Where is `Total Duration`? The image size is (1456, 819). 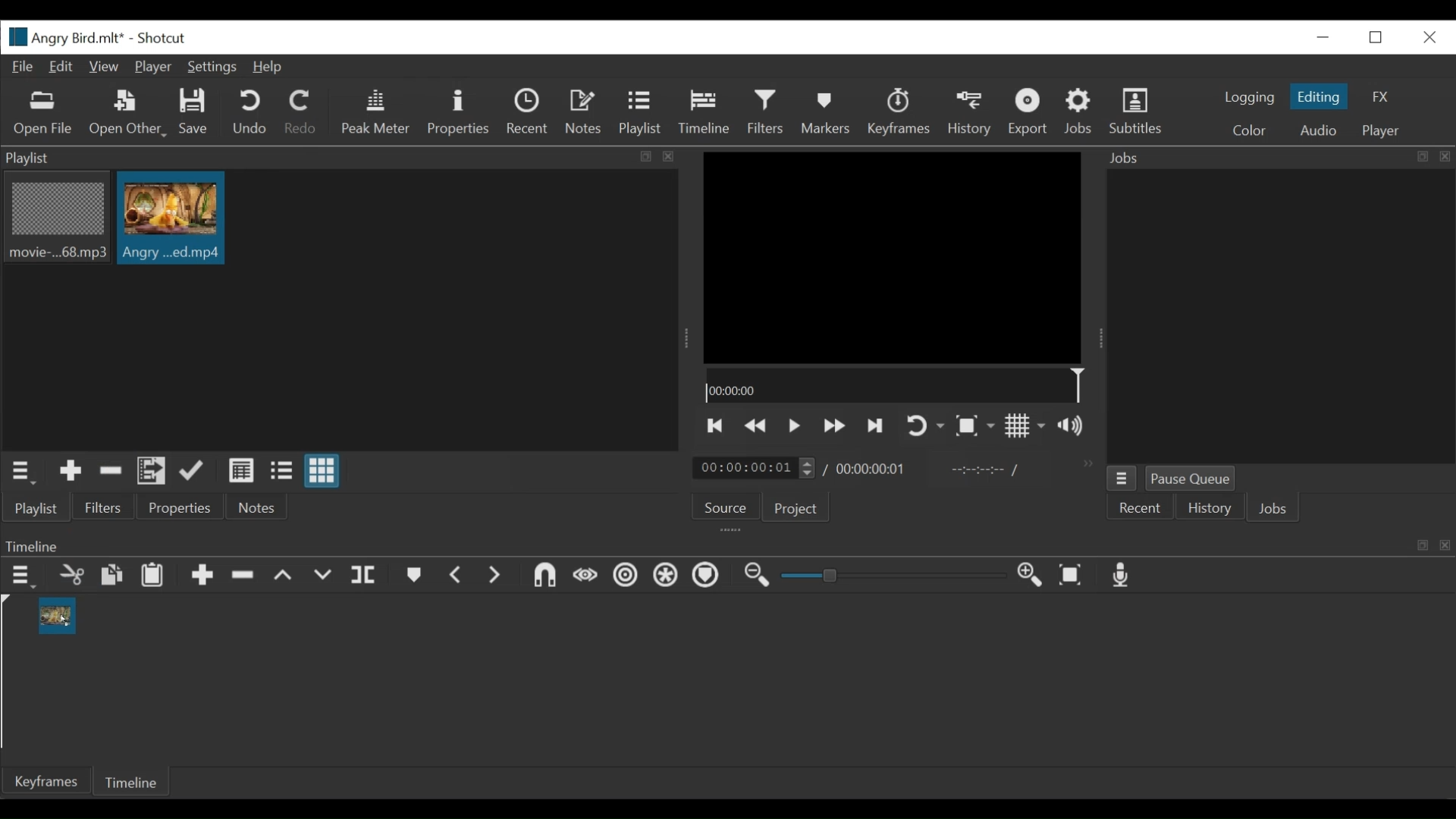
Total Duration is located at coordinates (873, 468).